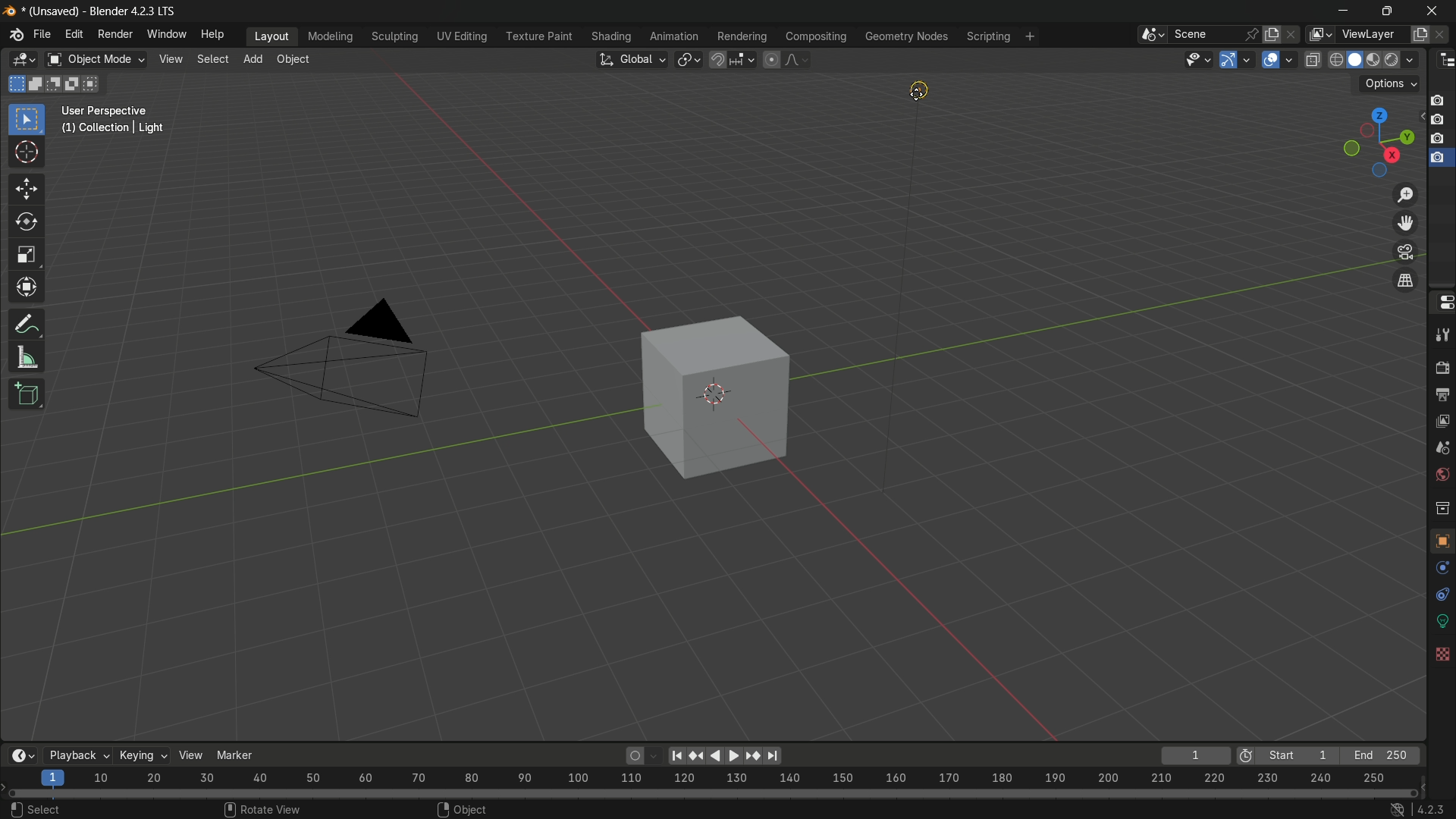 Image resolution: width=1456 pixels, height=819 pixels. I want to click on toggle the camera view, so click(1404, 252).